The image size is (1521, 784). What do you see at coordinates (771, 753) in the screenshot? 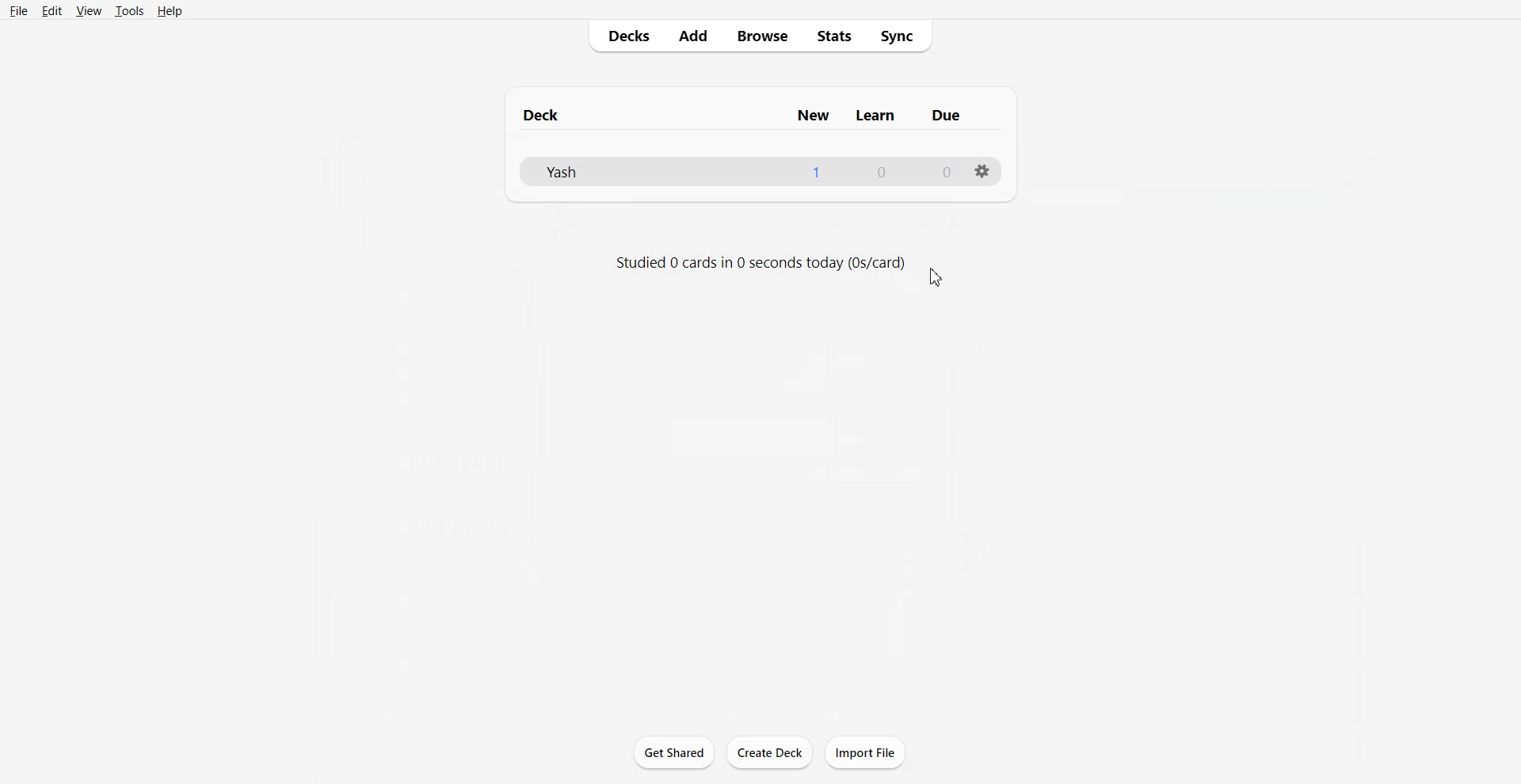
I see `Create Deck` at bounding box center [771, 753].